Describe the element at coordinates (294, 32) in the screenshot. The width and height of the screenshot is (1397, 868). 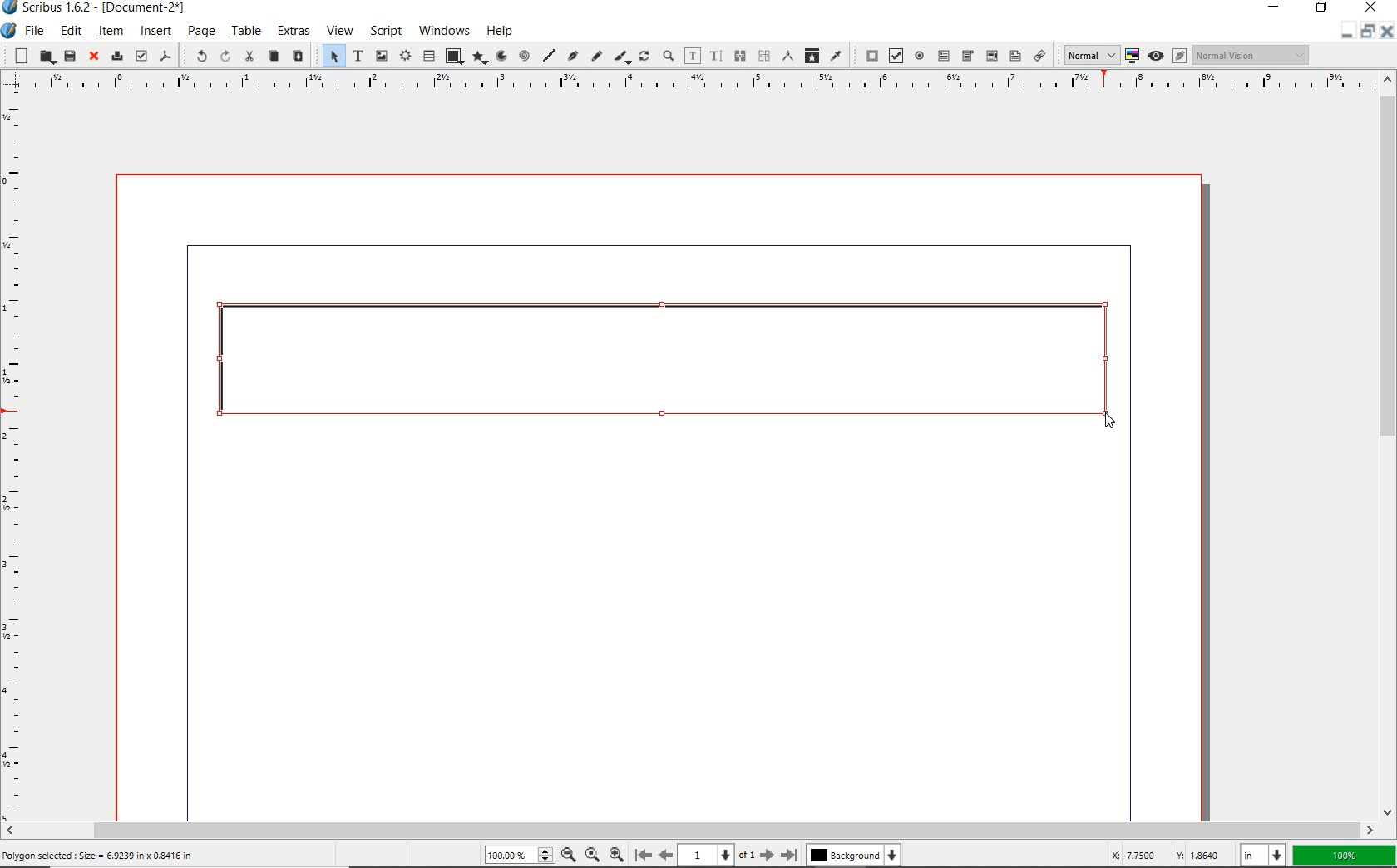
I see `extras` at that location.